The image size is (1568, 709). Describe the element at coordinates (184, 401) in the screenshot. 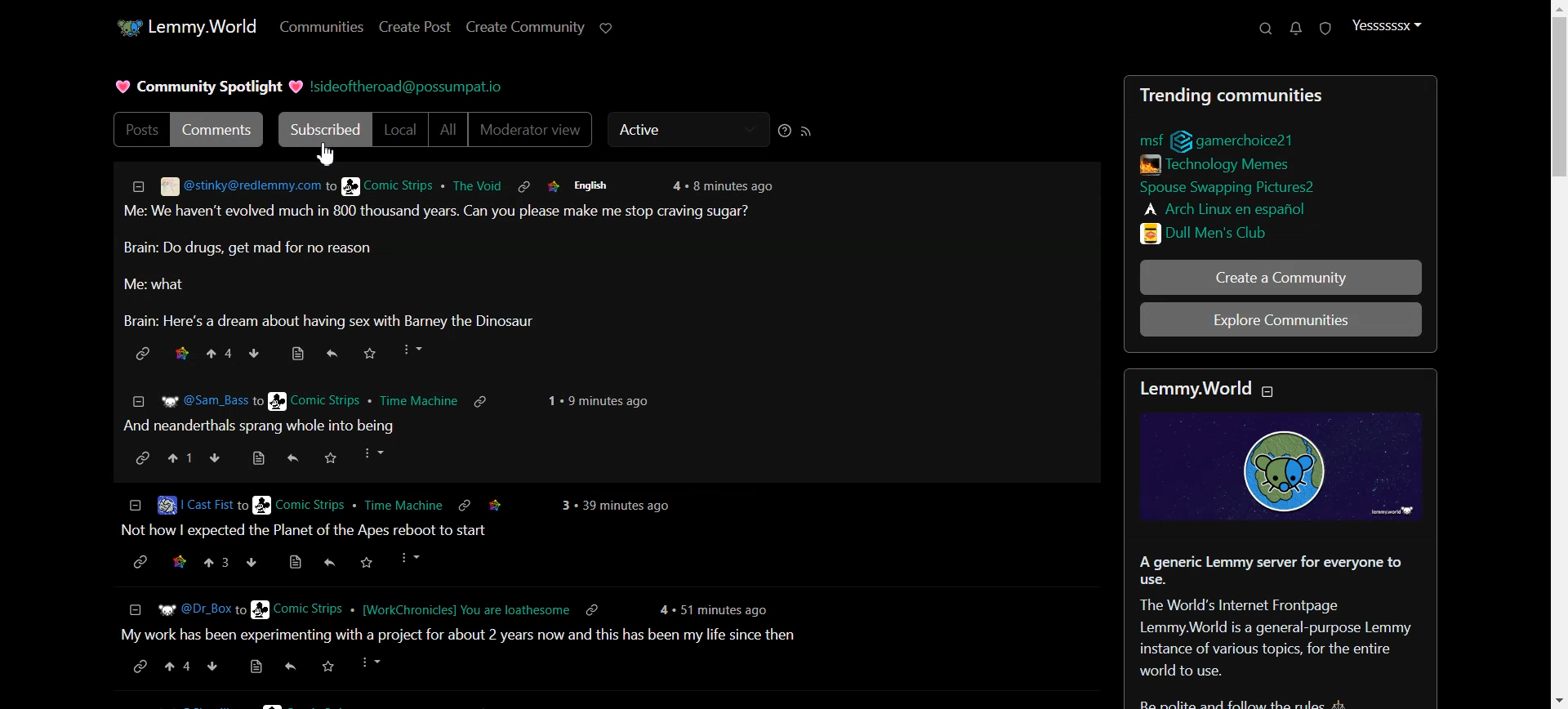

I see `username` at that location.